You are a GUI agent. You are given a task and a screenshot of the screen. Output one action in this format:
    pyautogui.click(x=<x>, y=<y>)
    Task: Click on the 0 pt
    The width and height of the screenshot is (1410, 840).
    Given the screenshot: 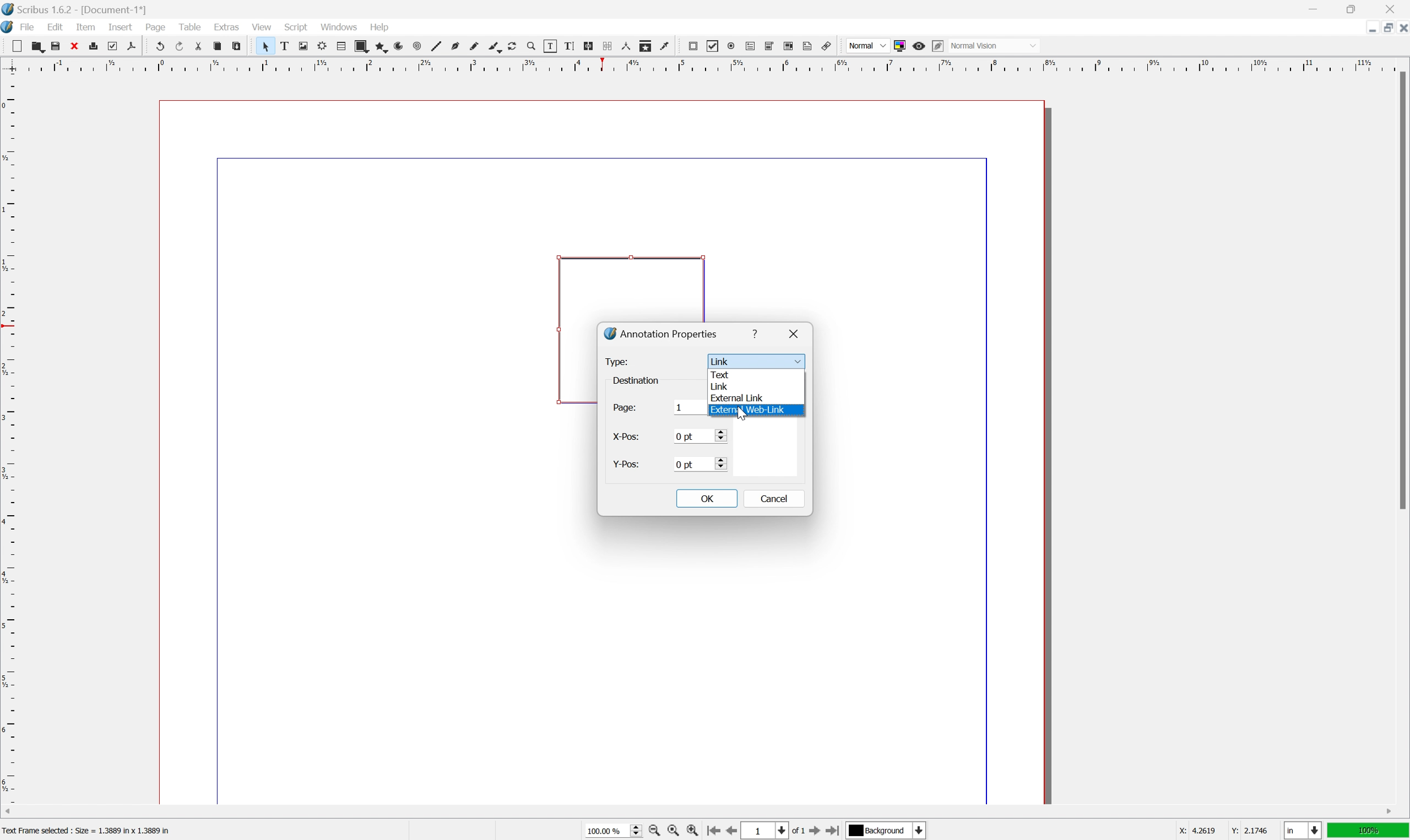 What is the action you would take?
    pyautogui.click(x=700, y=464)
    